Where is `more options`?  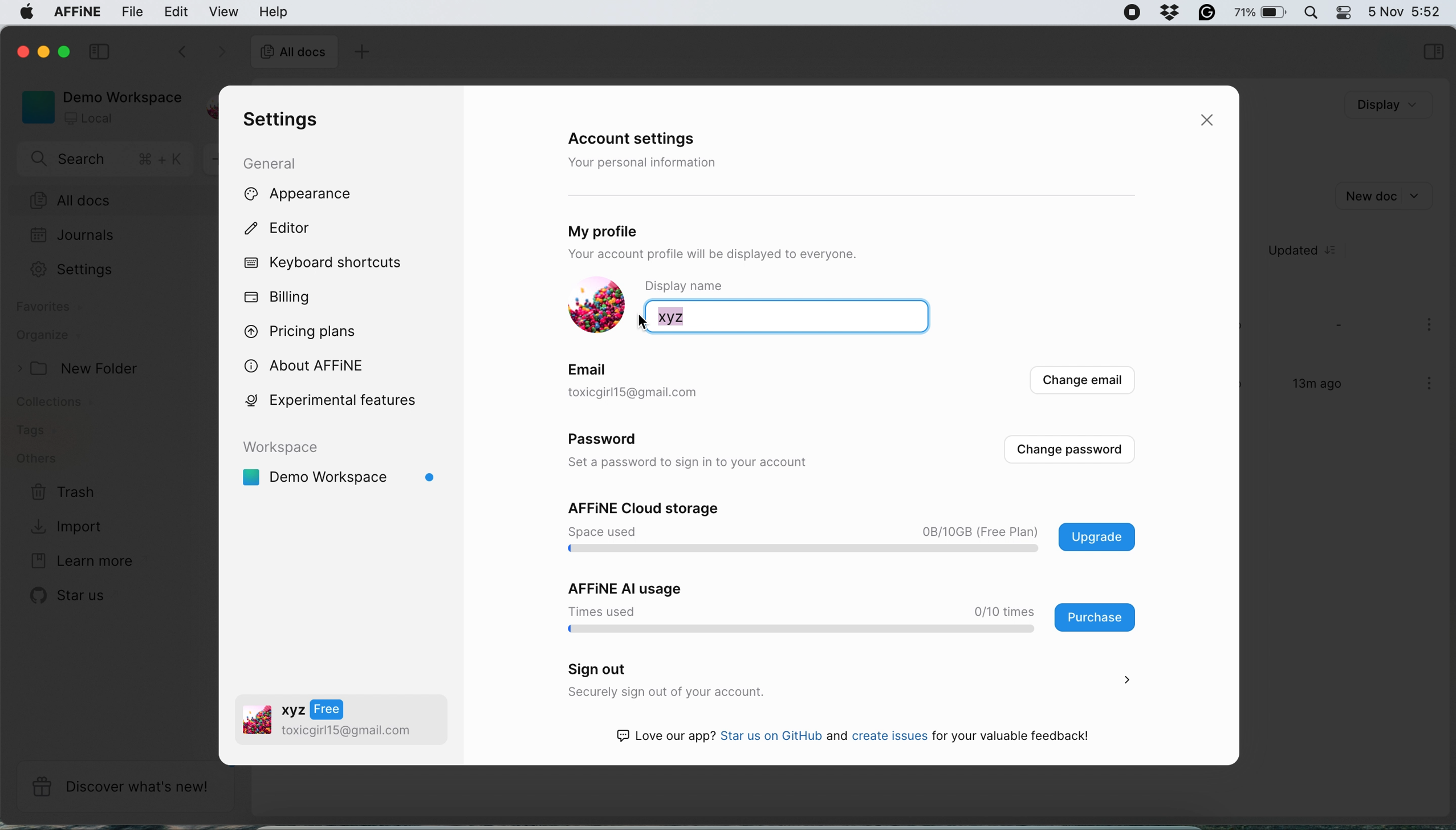 more options is located at coordinates (1431, 326).